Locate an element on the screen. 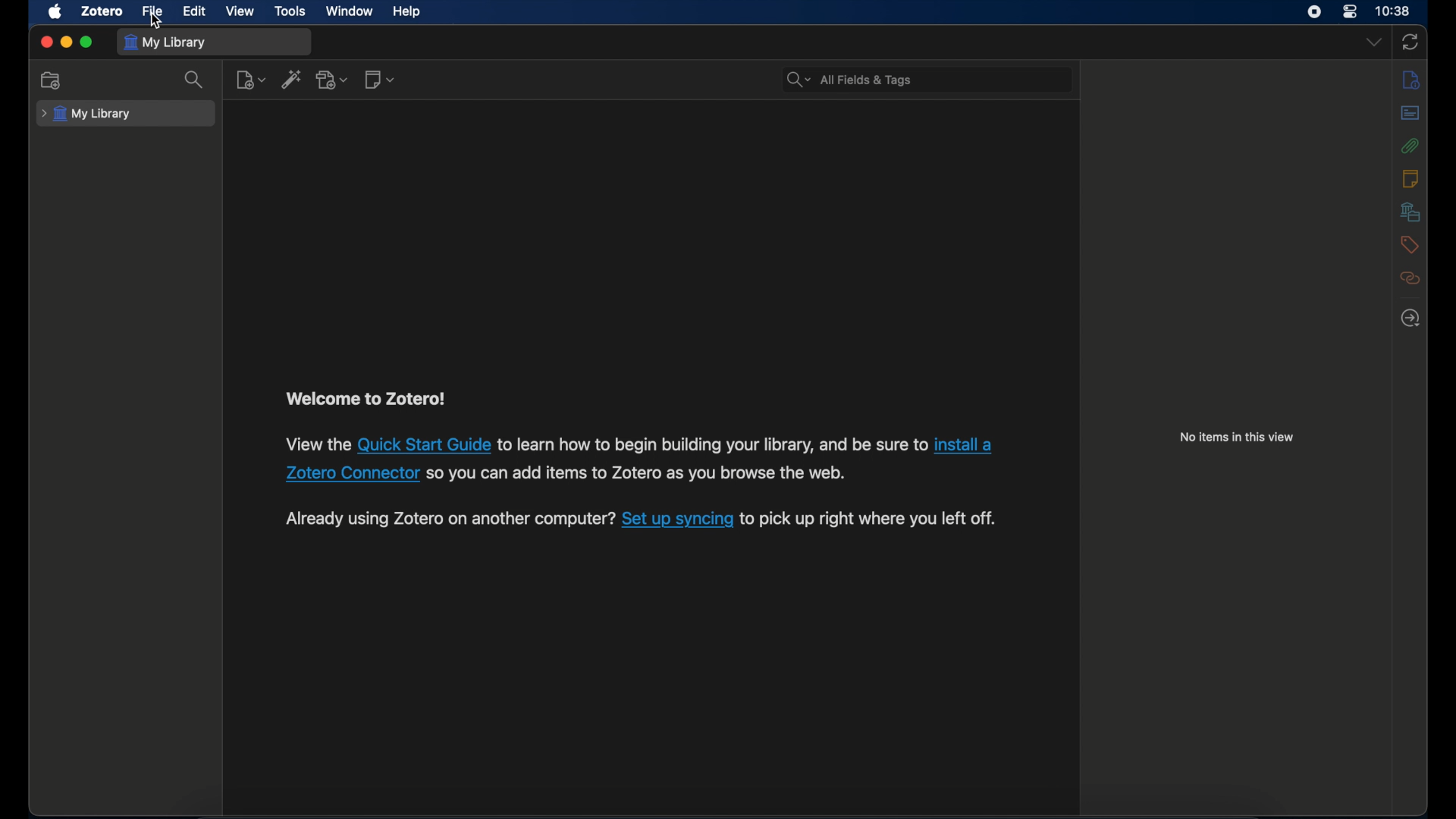 The image size is (1456, 819). new item is located at coordinates (251, 80).